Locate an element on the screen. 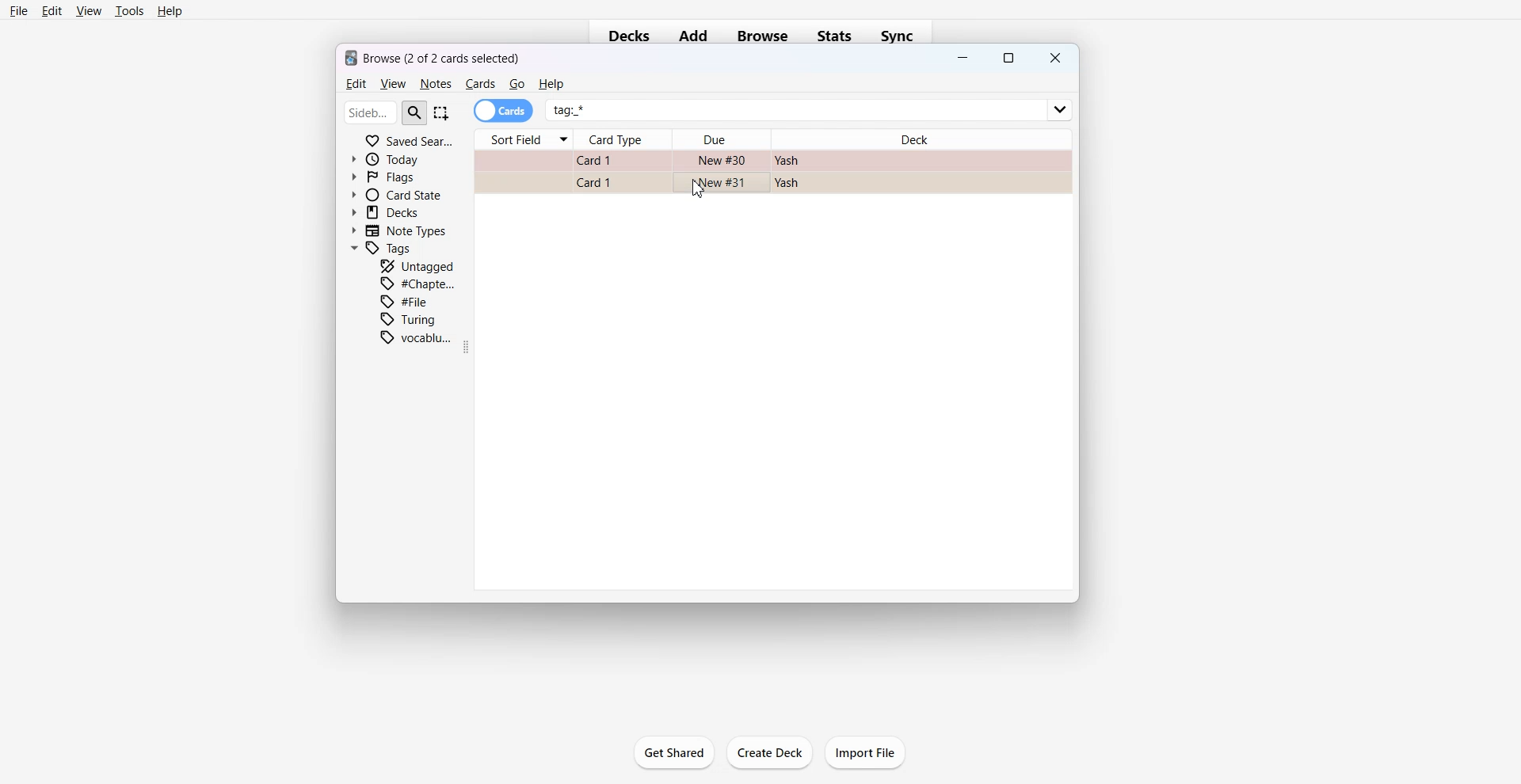 Image resolution: width=1521 pixels, height=784 pixels. He is located at coordinates (551, 84).